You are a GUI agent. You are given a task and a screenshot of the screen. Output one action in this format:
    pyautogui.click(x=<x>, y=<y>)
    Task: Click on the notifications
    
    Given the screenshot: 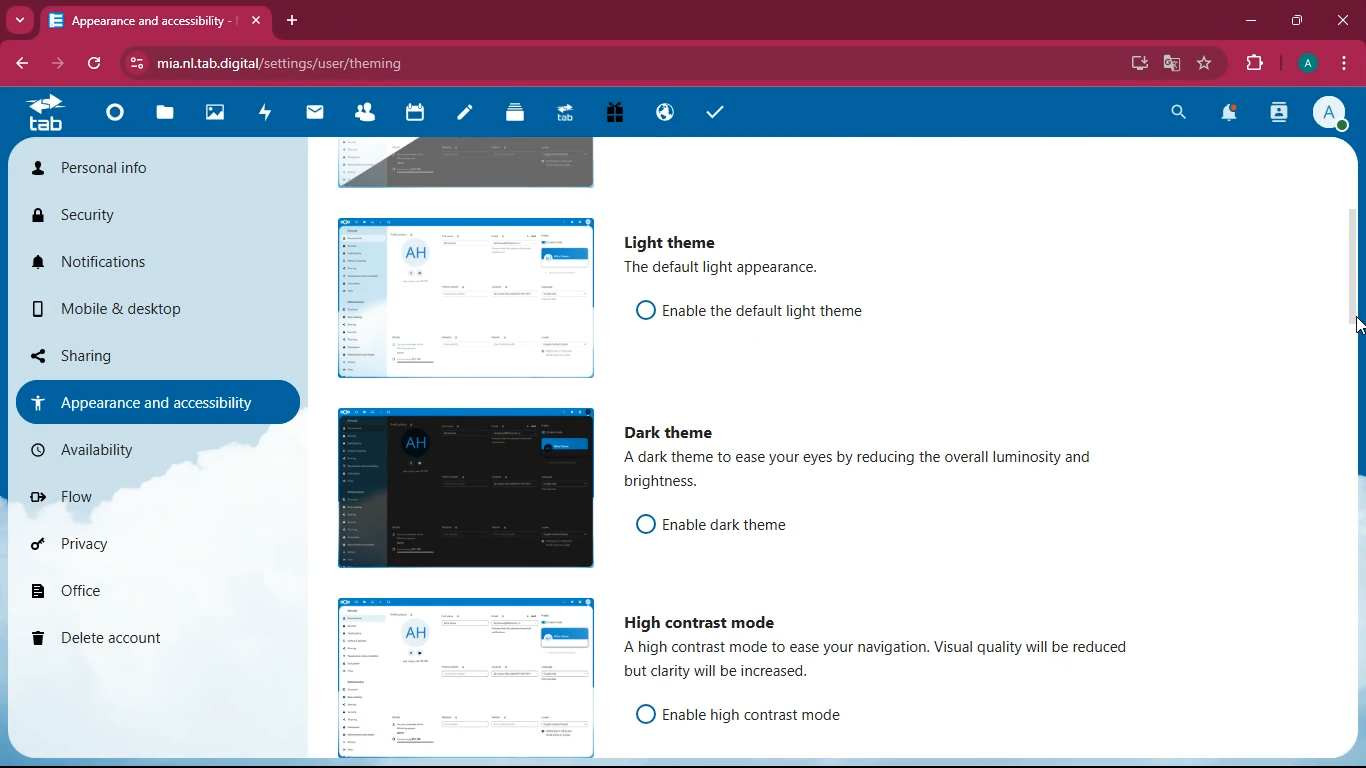 What is the action you would take?
    pyautogui.click(x=1234, y=115)
    